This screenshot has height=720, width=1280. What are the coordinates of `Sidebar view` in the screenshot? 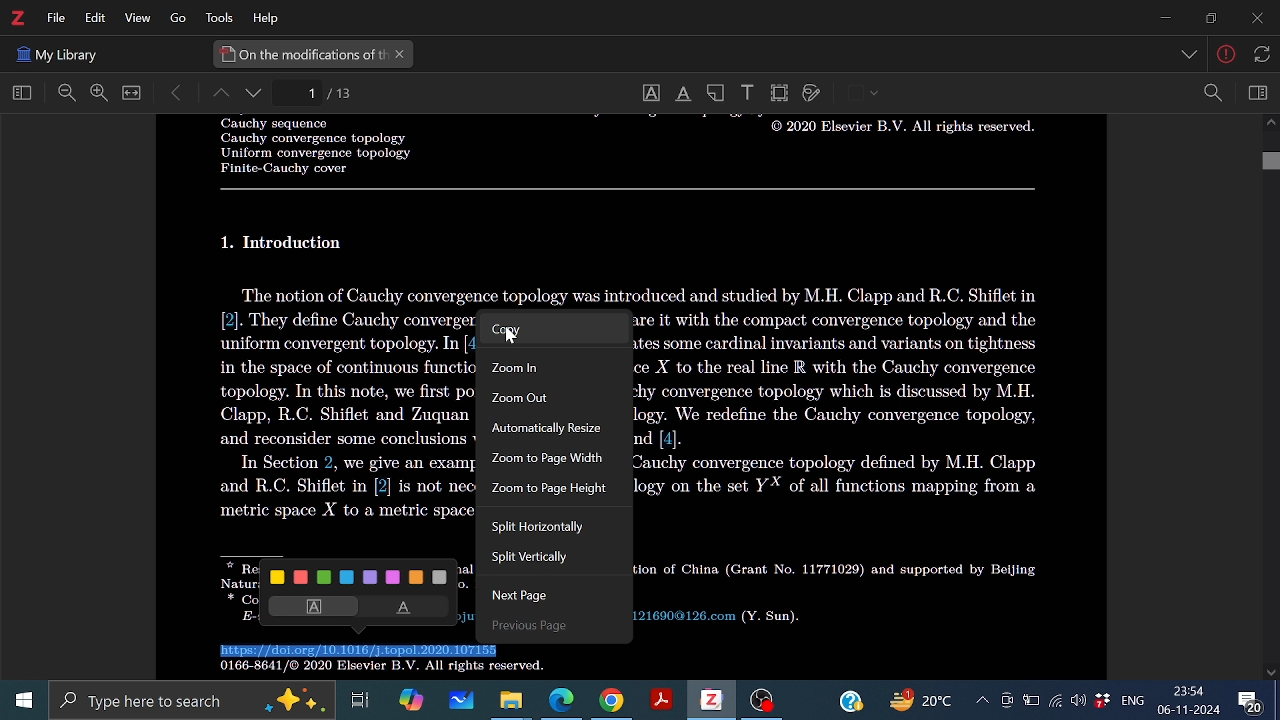 It's located at (1255, 93).